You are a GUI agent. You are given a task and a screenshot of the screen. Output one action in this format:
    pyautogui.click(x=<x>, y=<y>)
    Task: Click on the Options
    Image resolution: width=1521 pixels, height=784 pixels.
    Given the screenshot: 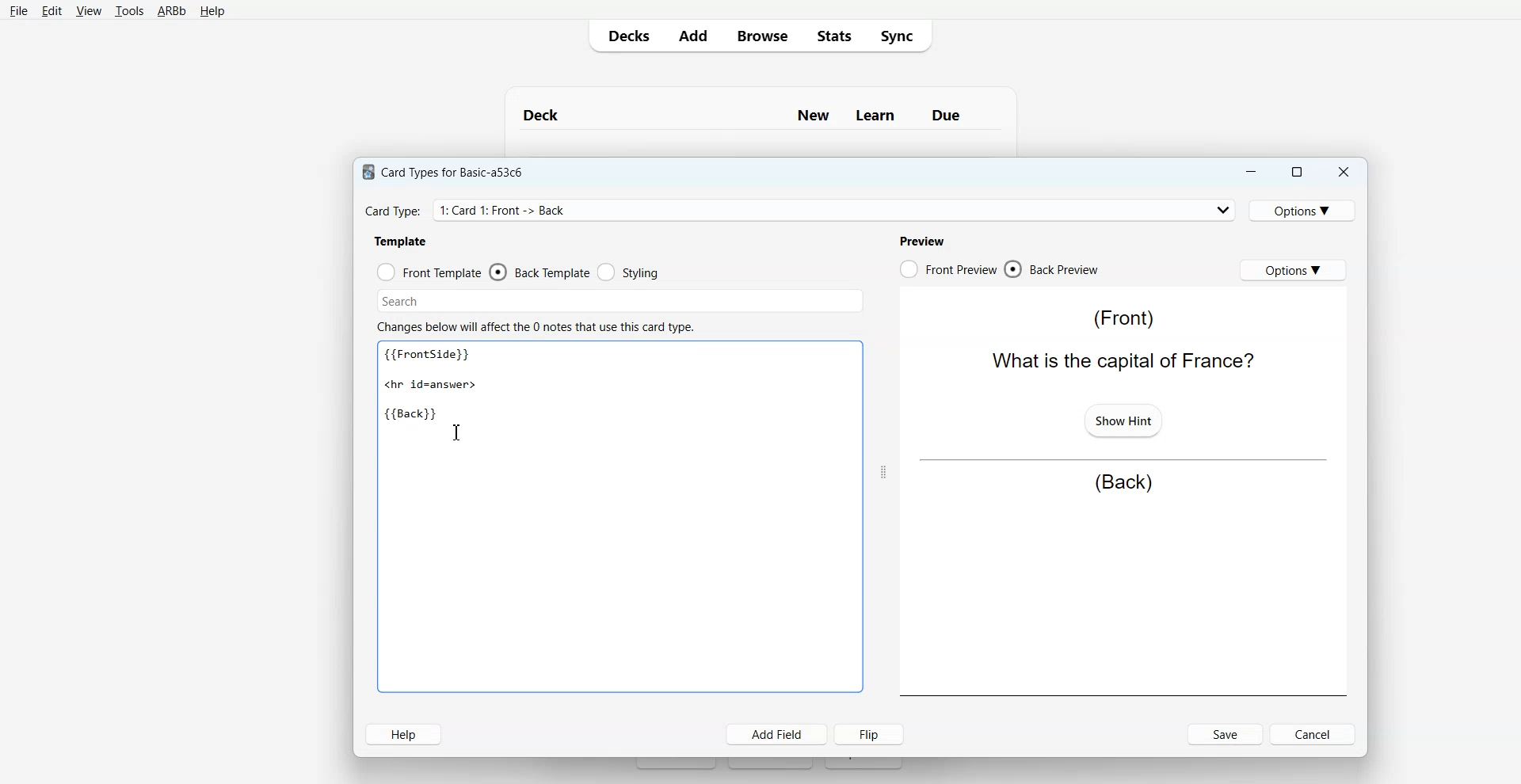 What is the action you would take?
    pyautogui.click(x=1305, y=210)
    